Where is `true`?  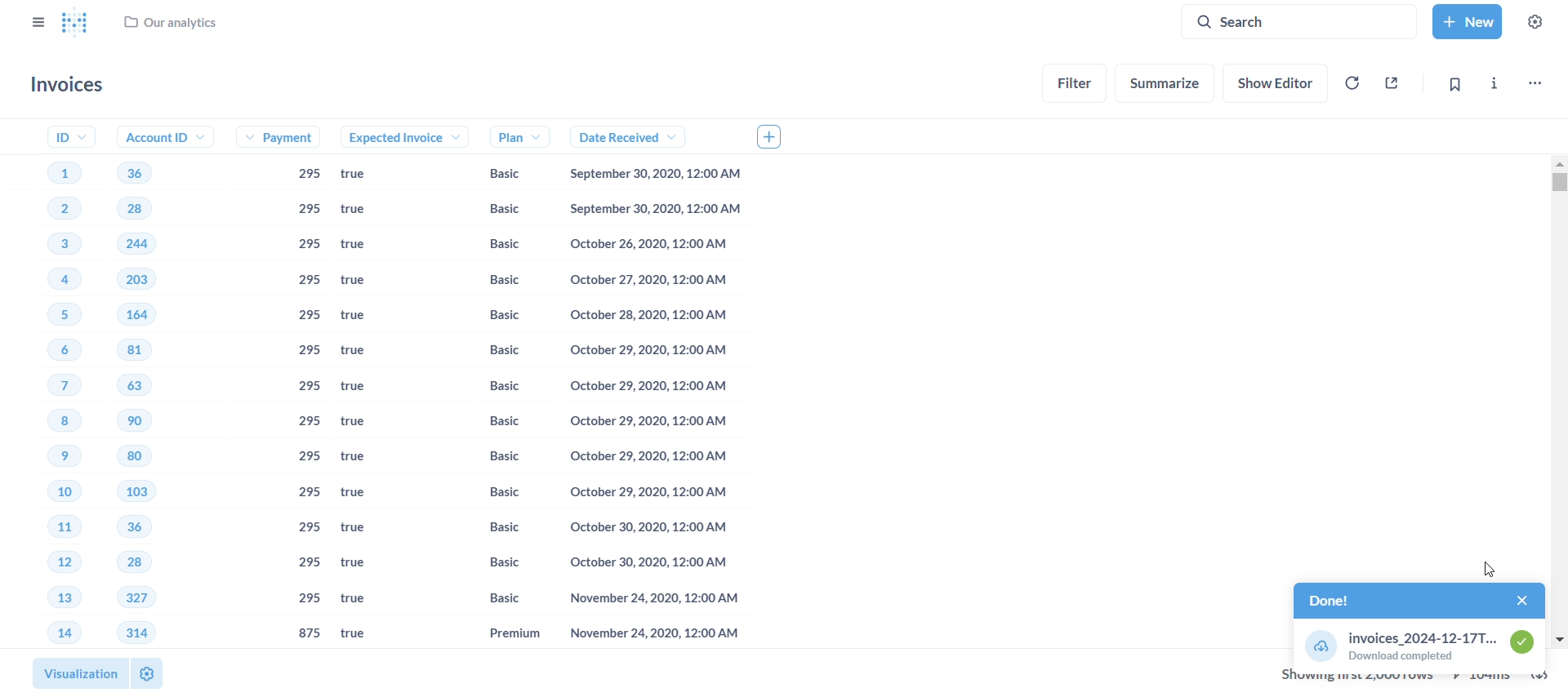
true is located at coordinates (367, 423).